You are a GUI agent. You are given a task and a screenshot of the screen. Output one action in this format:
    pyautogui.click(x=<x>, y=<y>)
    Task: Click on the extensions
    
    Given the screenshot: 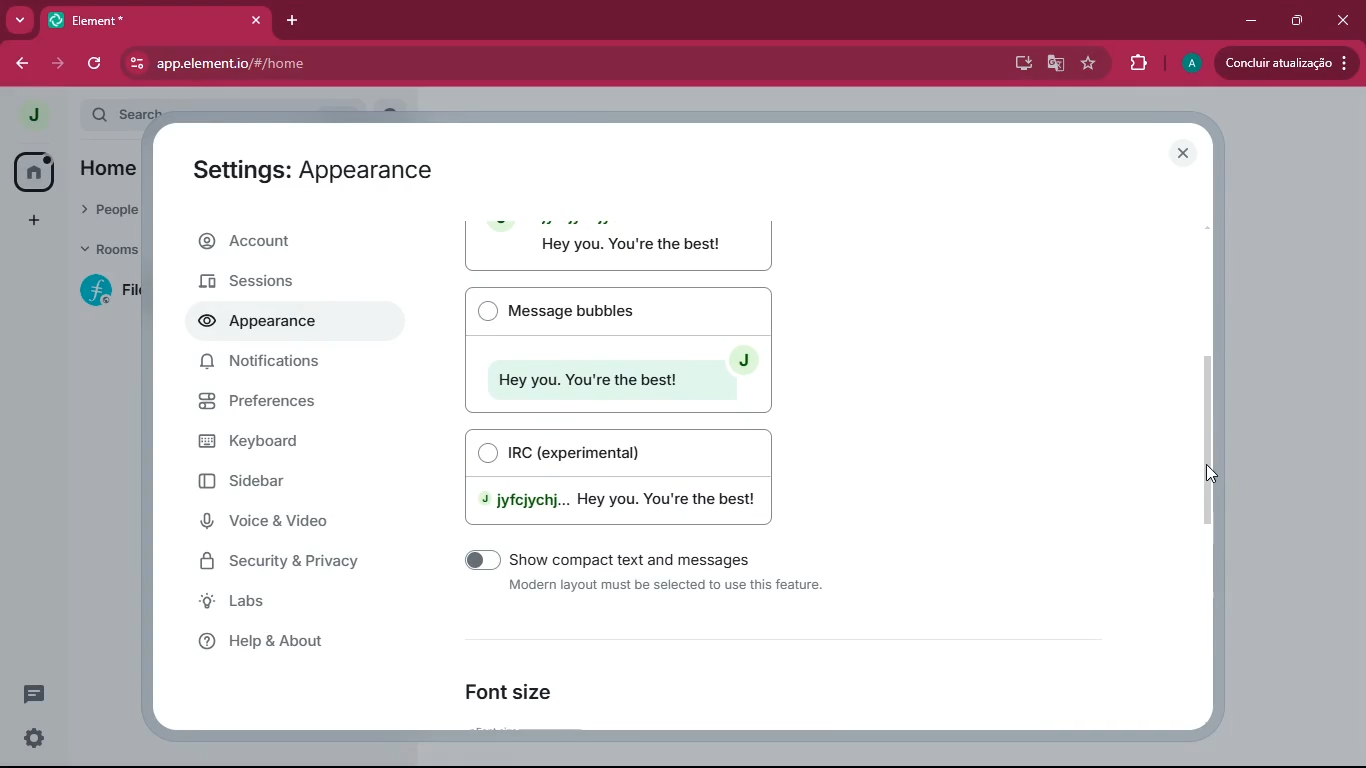 What is the action you would take?
    pyautogui.click(x=1139, y=64)
    